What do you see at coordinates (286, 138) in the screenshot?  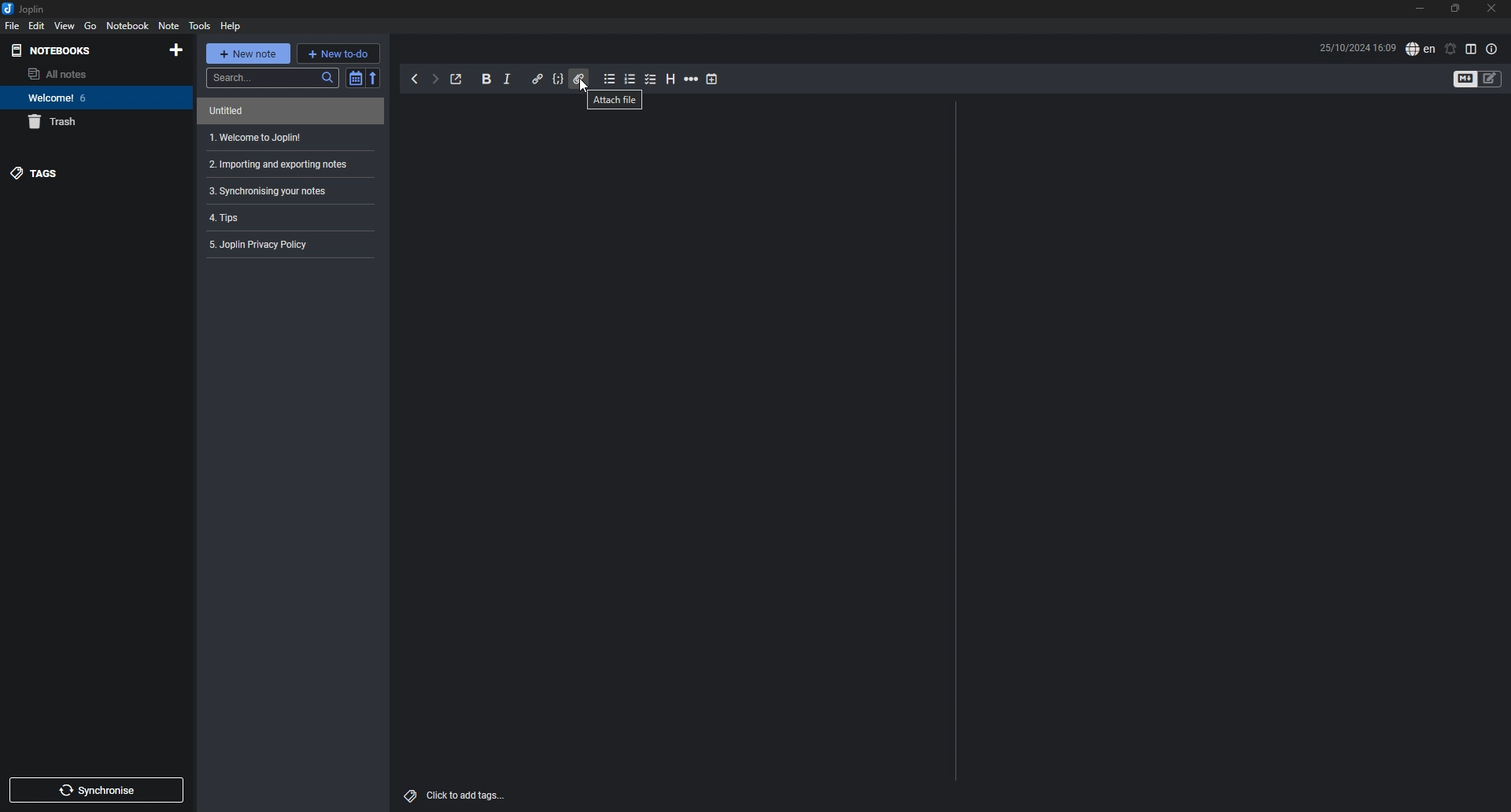 I see `1.Welcome to joplin` at bounding box center [286, 138].